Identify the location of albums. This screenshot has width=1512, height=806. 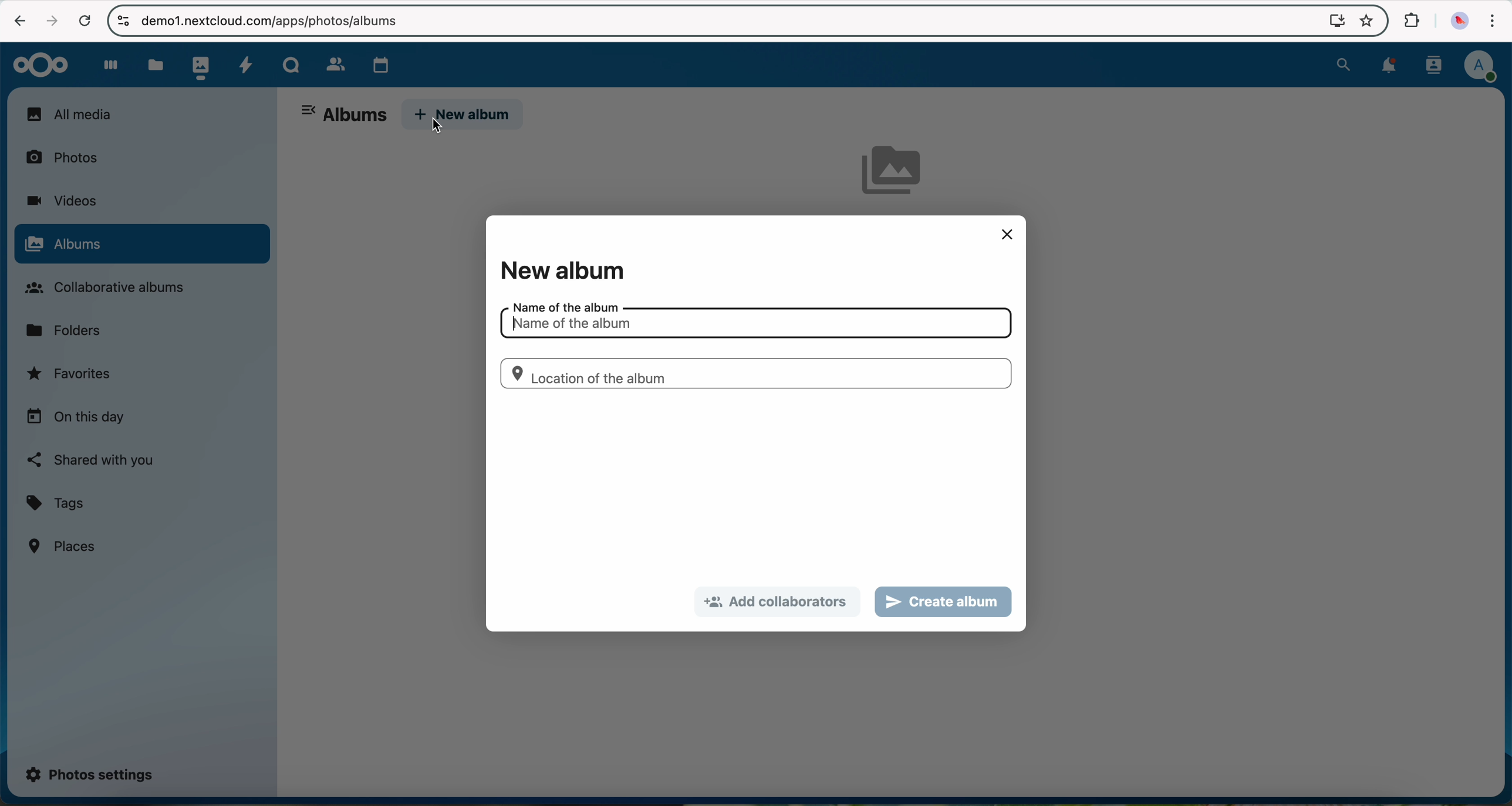
(355, 116).